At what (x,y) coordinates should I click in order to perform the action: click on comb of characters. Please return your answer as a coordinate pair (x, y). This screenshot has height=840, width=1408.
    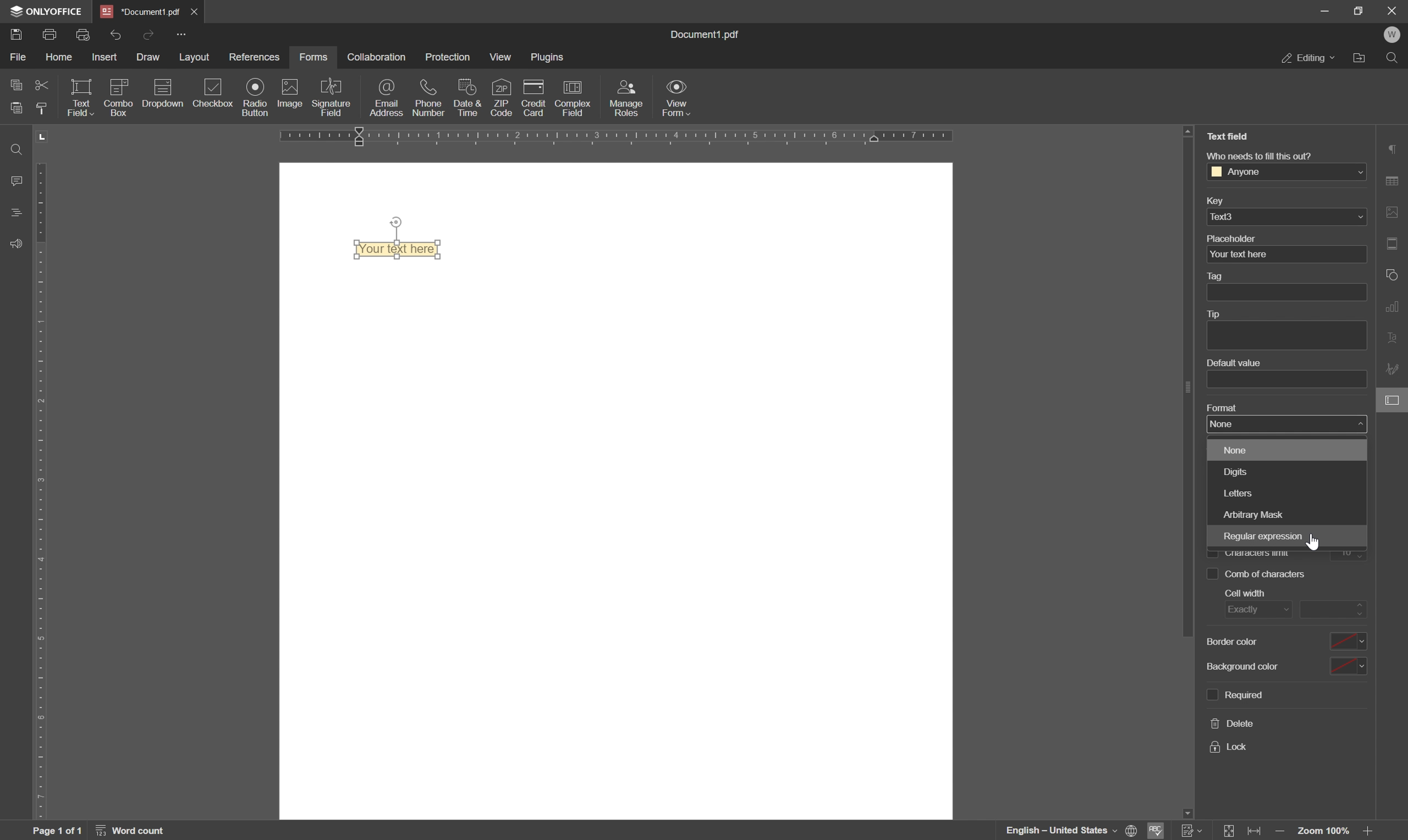
    Looking at the image, I should click on (1348, 553).